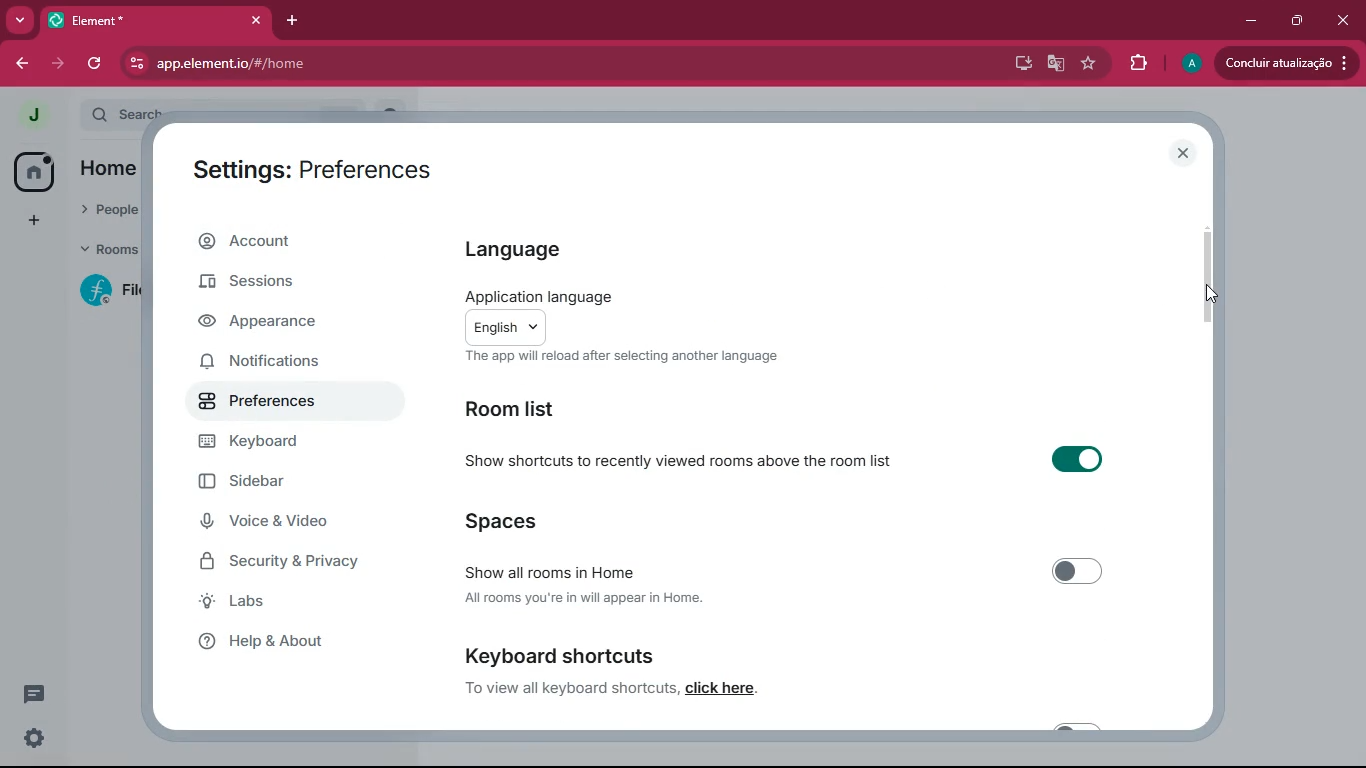 The image size is (1366, 768). I want to click on keyboard, so click(289, 443).